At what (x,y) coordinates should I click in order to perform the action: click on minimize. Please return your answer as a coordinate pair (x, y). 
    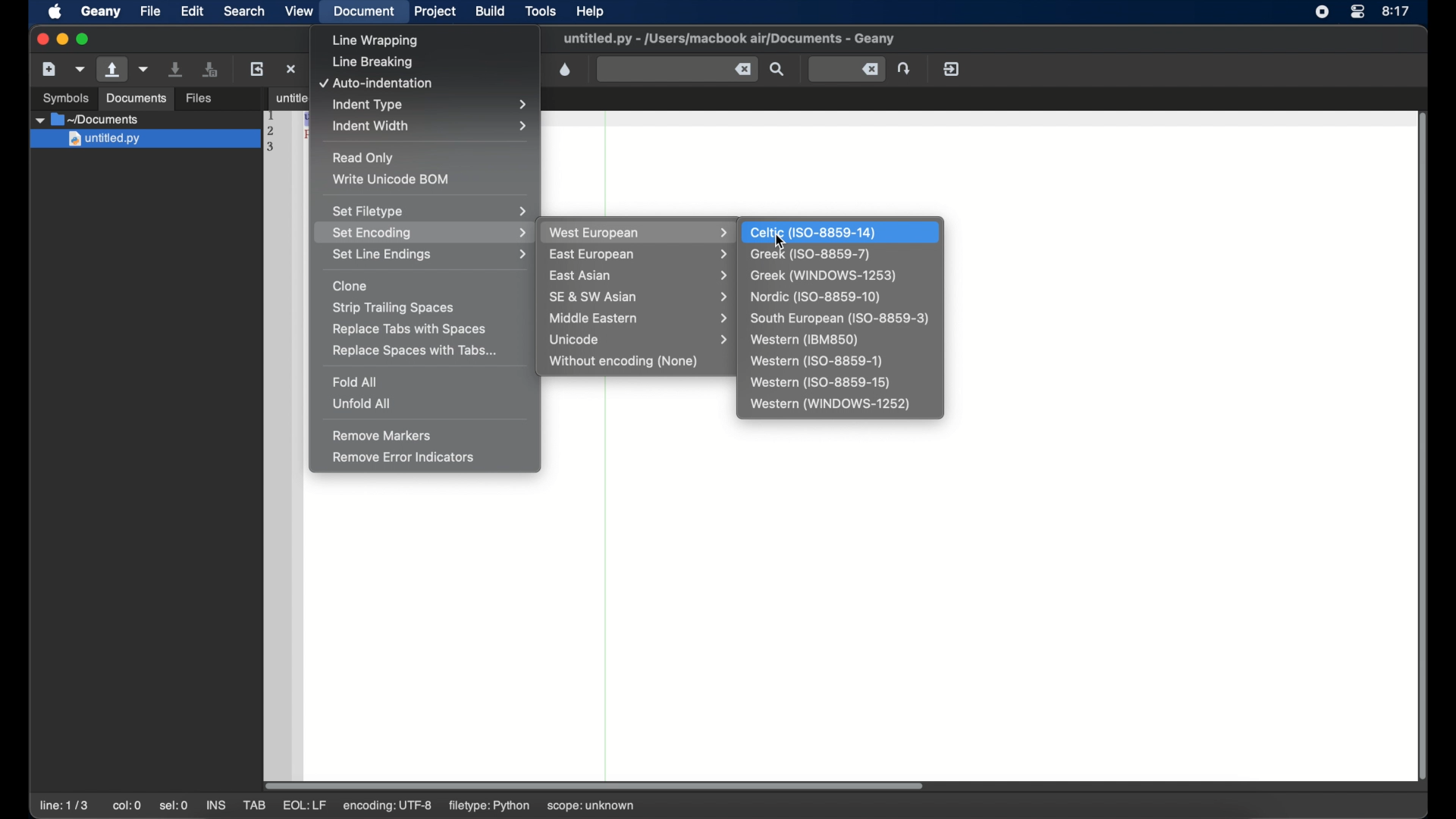
    Looking at the image, I should click on (62, 39).